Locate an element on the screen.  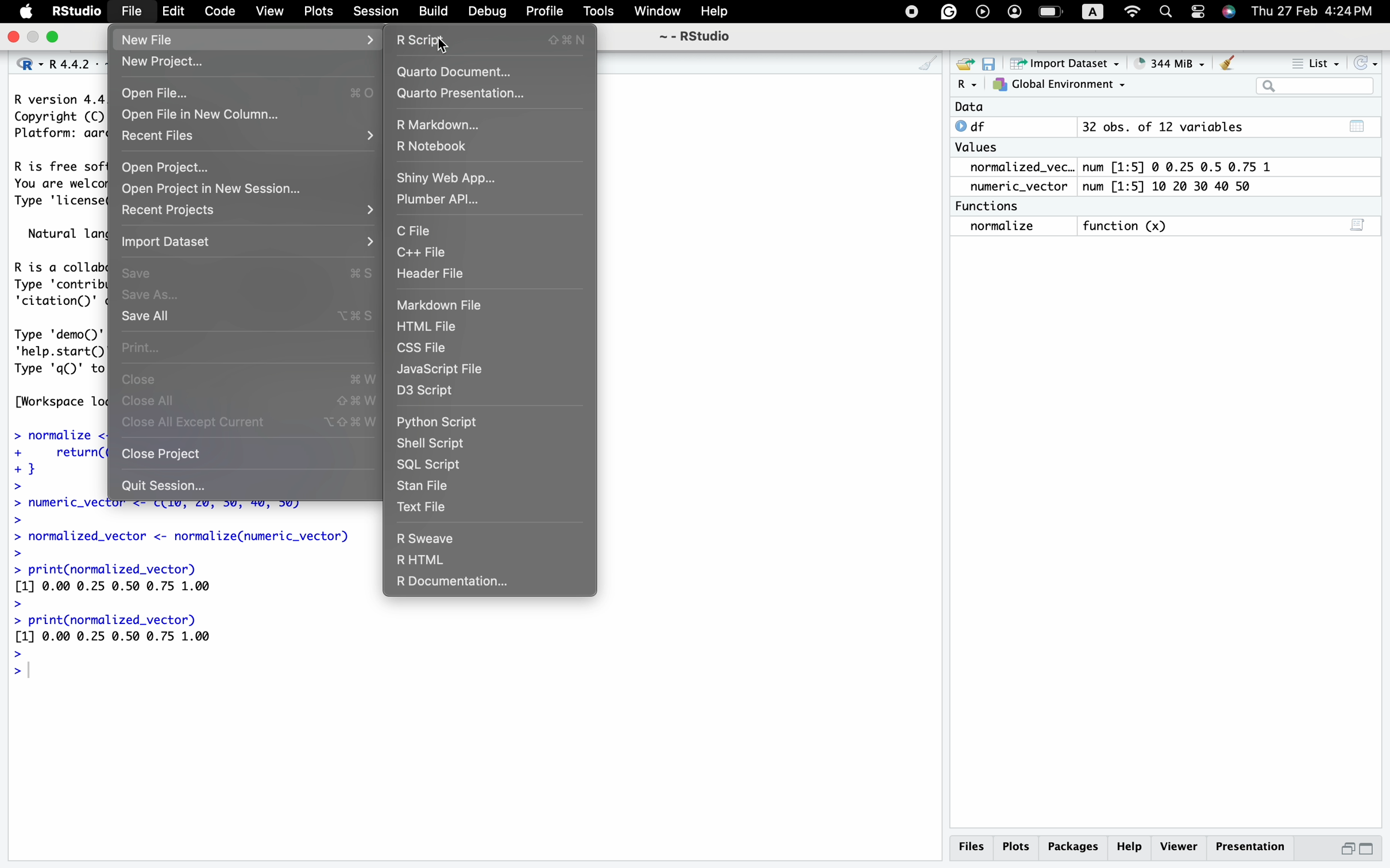
Open Project in New Session... is located at coordinates (213, 189).